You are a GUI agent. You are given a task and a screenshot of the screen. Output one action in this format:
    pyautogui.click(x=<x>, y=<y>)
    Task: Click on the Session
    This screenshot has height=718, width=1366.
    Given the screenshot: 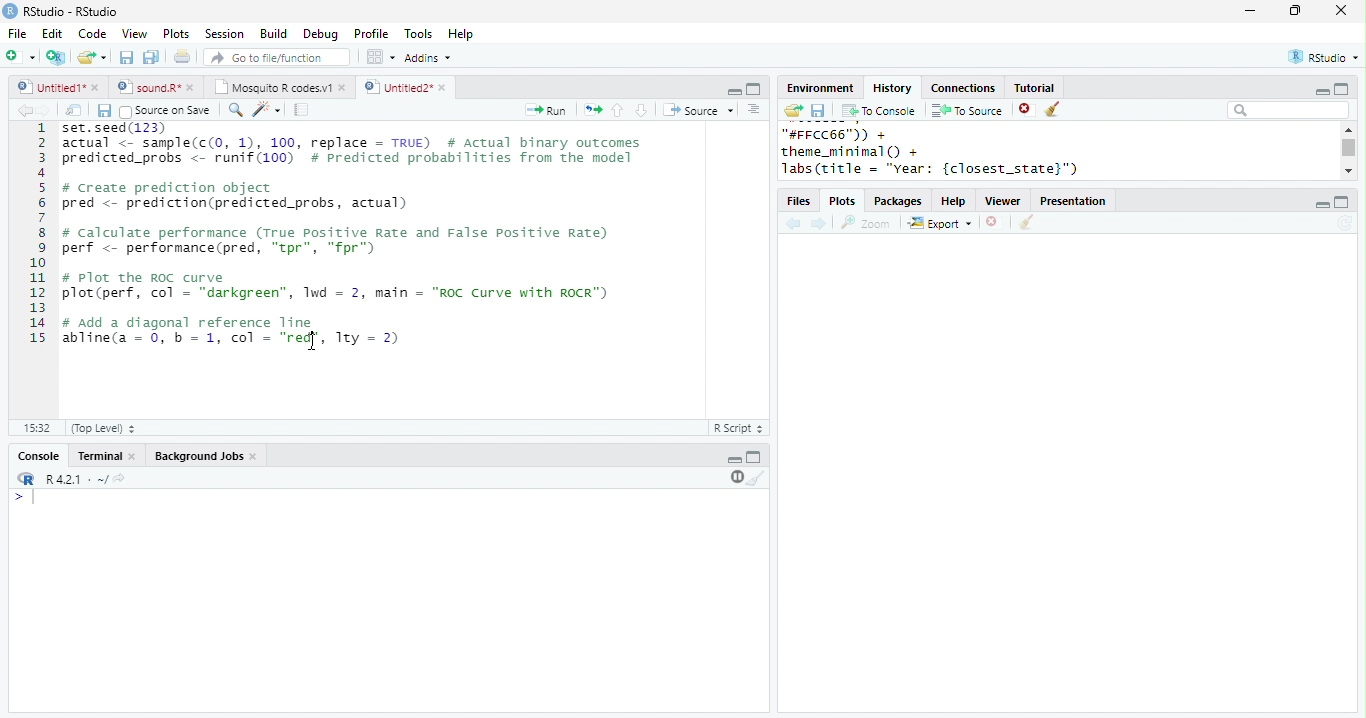 What is the action you would take?
    pyautogui.click(x=224, y=34)
    